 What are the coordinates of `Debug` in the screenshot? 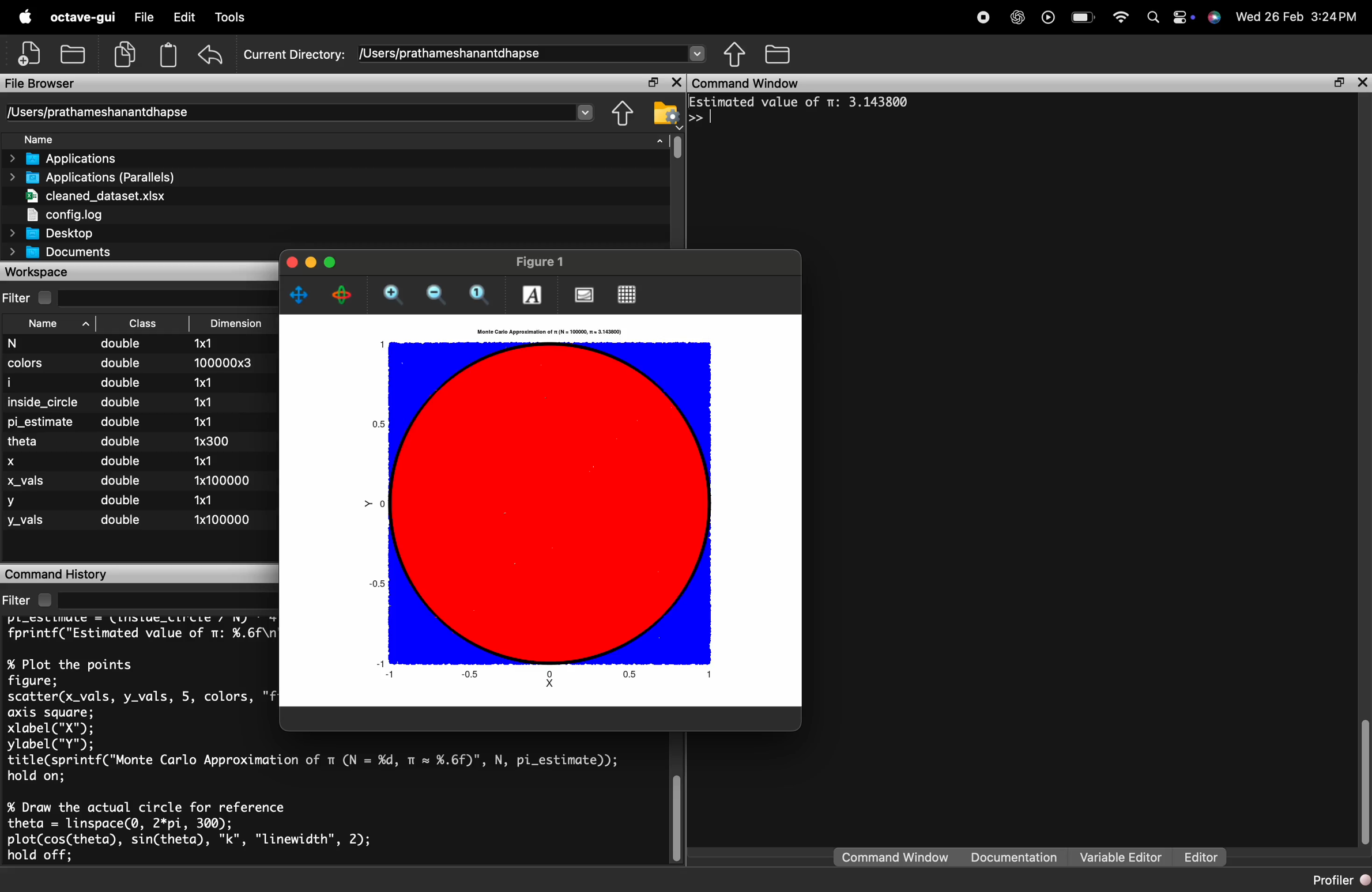 It's located at (230, 18).